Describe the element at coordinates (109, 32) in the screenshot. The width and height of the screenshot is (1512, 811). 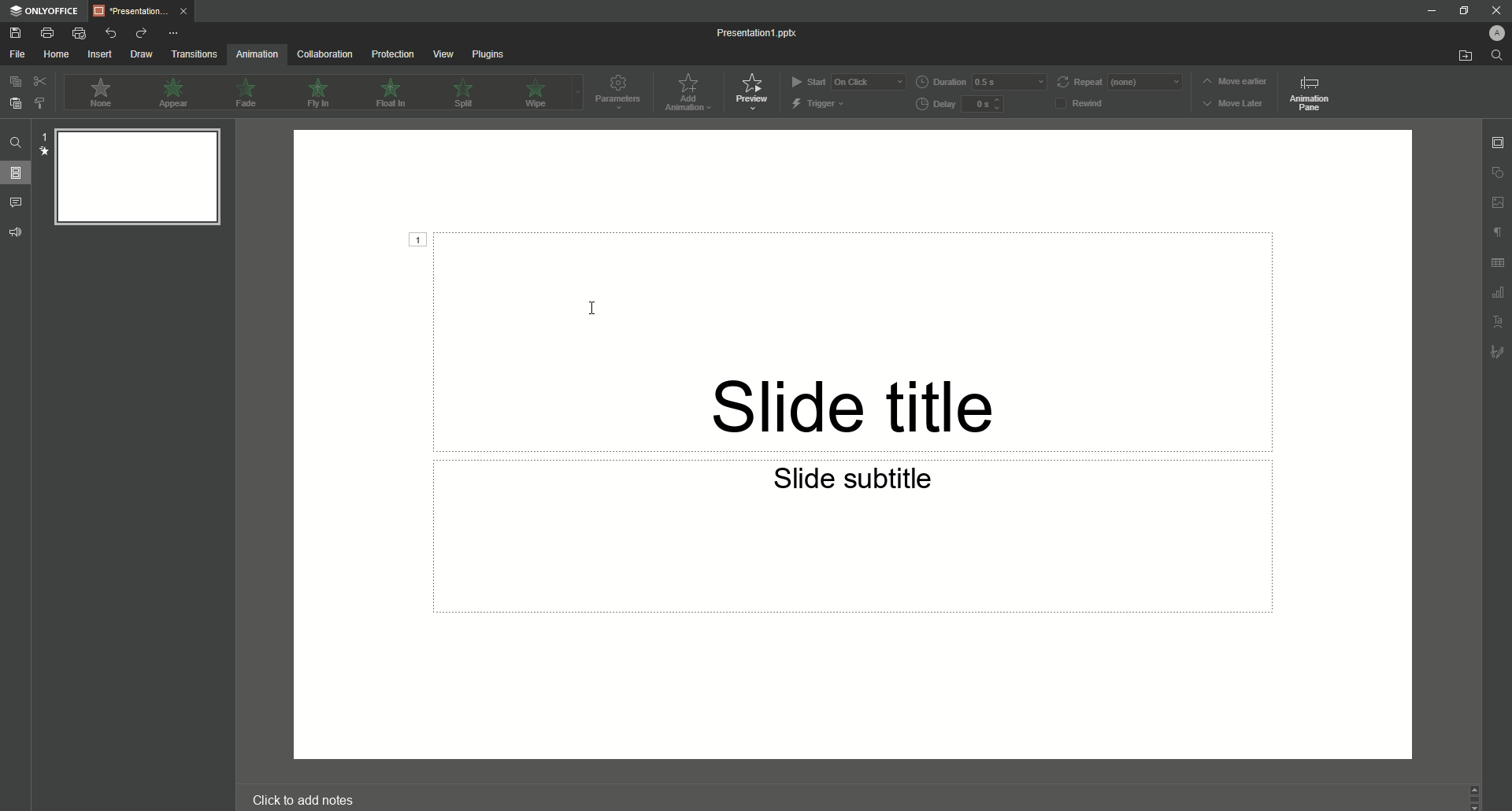
I see `Undo` at that location.